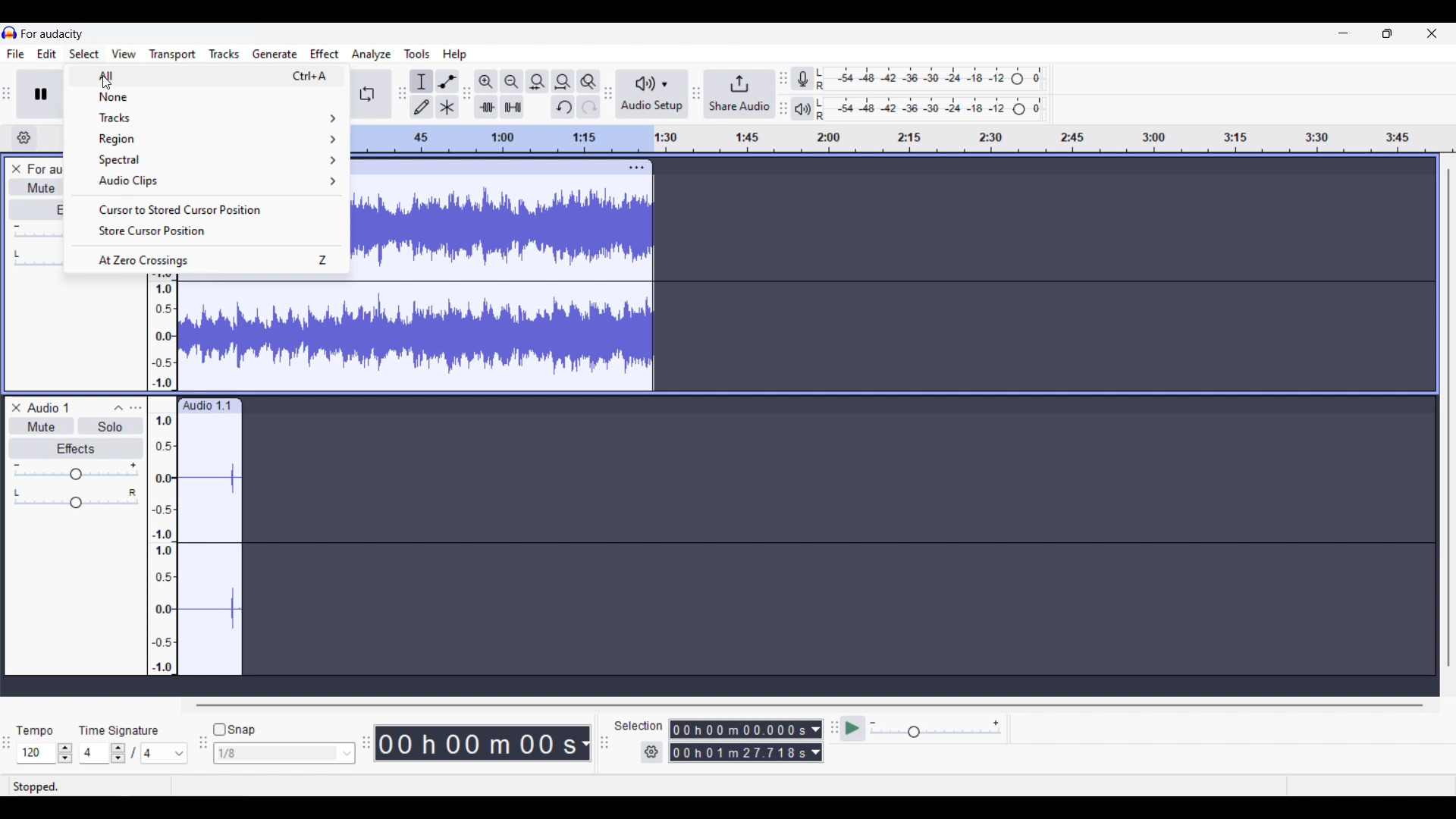 The height and width of the screenshot is (819, 1456). Describe the element at coordinates (36, 209) in the screenshot. I see `Effects` at that location.